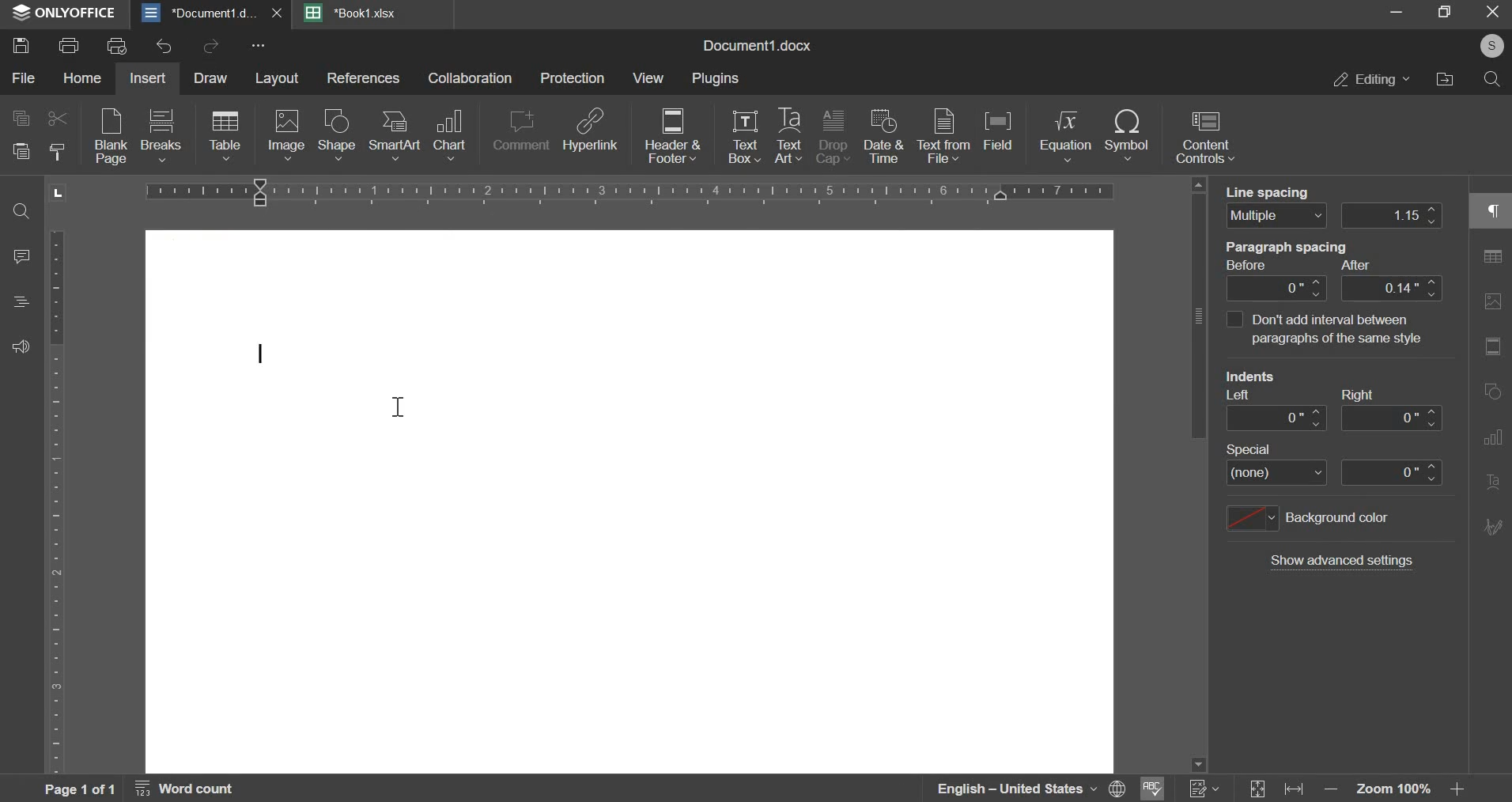 The width and height of the screenshot is (1512, 802). Describe the element at coordinates (1268, 189) in the screenshot. I see `Line spacing label` at that location.